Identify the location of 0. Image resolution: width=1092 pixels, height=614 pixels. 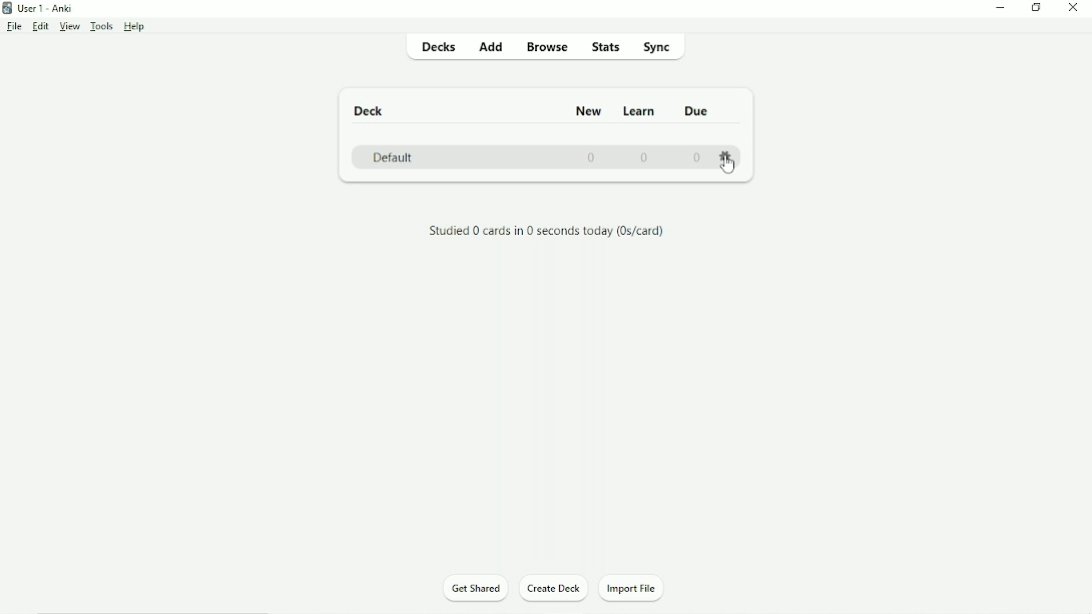
(647, 156).